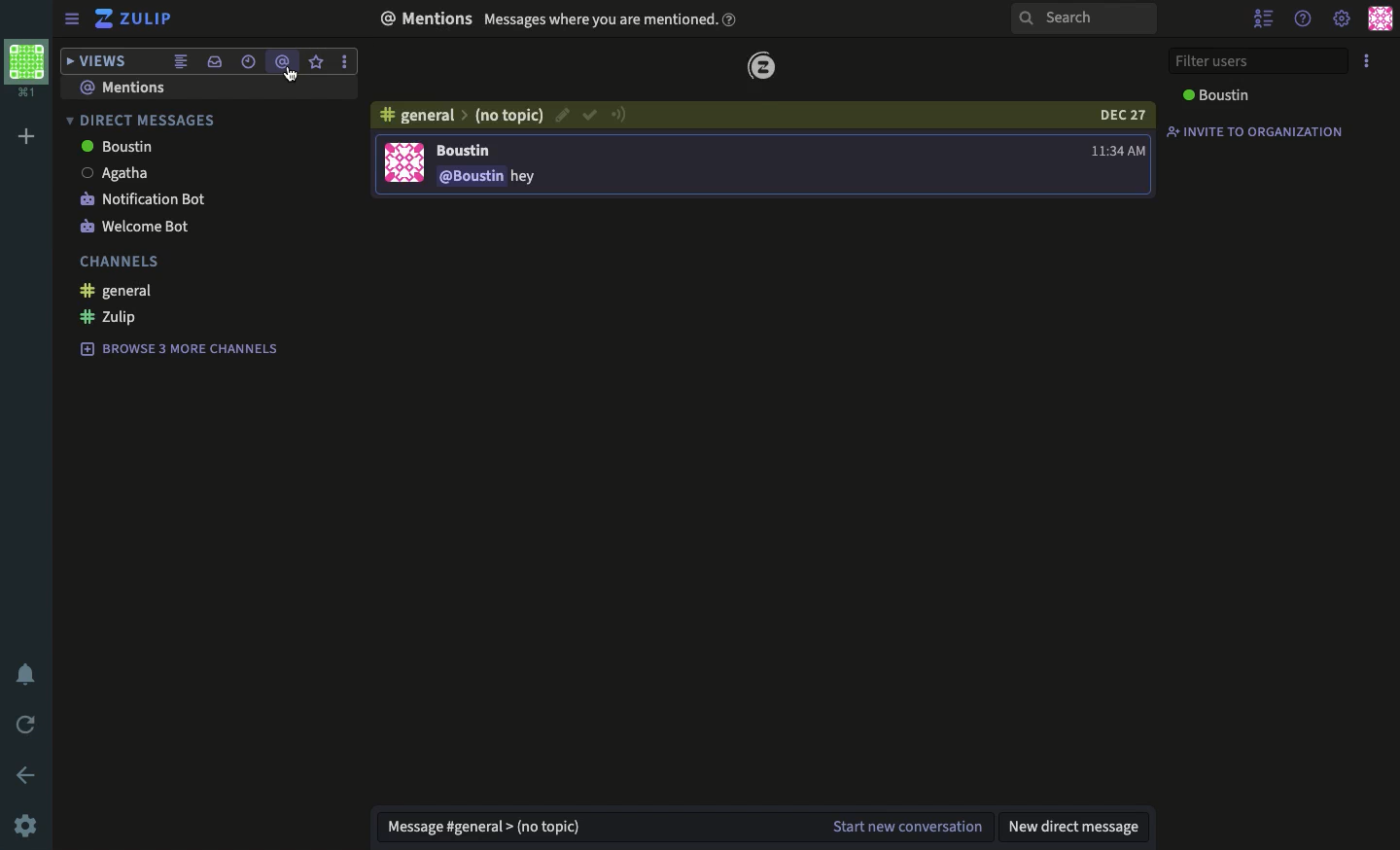 The height and width of the screenshot is (850, 1400). Describe the element at coordinates (93, 61) in the screenshot. I see `views` at that location.